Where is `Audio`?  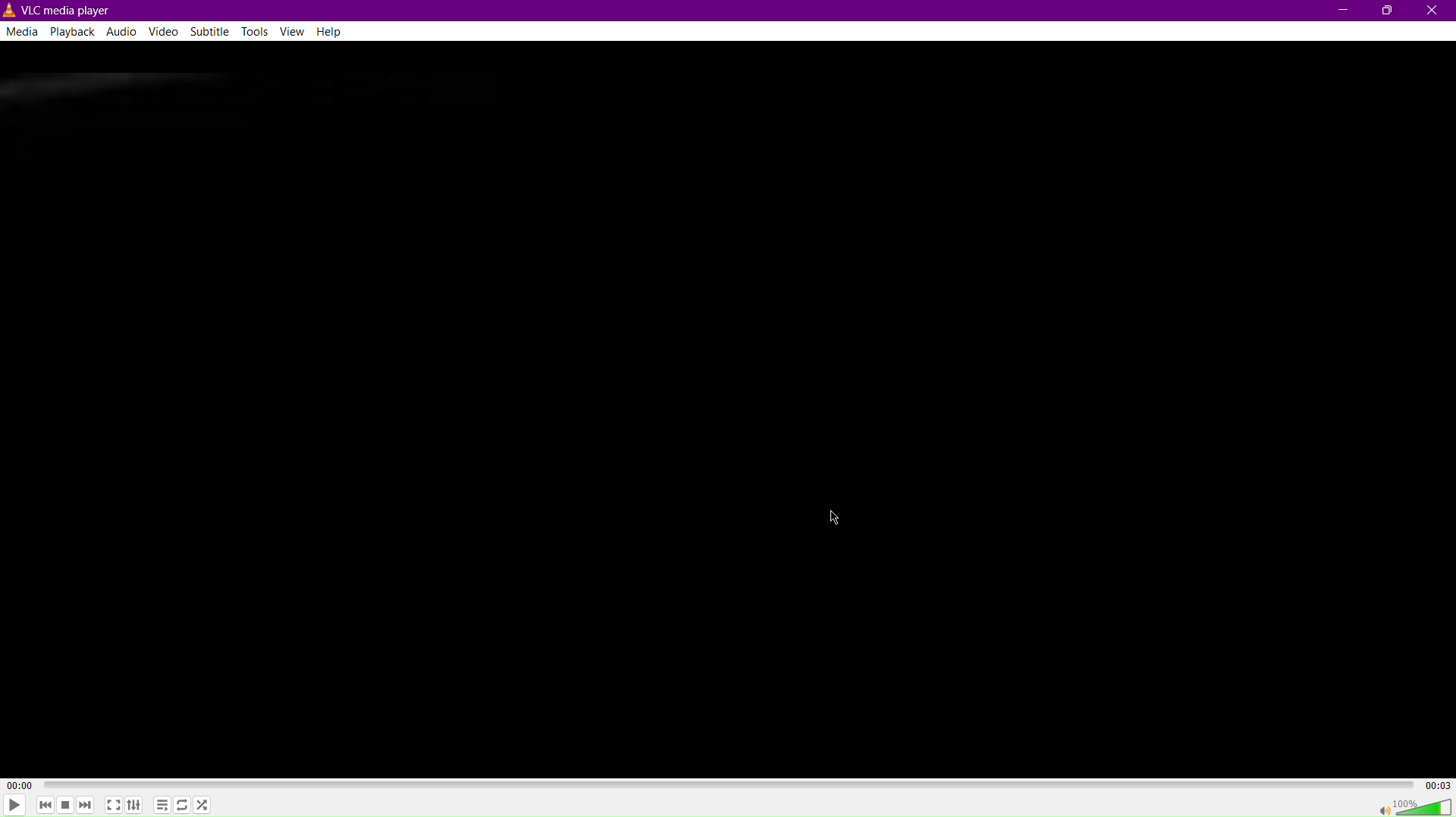 Audio is located at coordinates (124, 32).